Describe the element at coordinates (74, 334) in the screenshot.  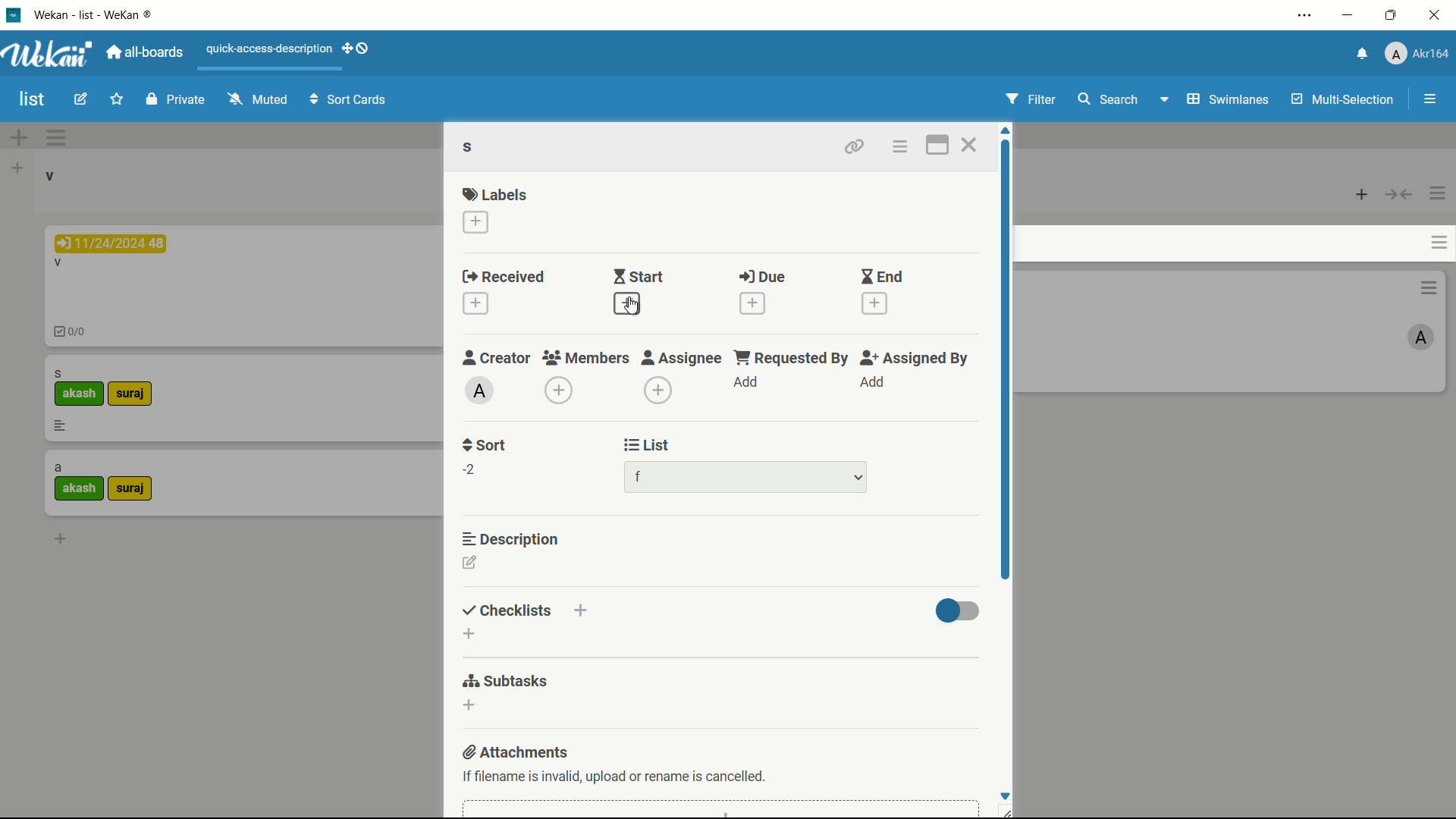
I see `checklist` at that location.